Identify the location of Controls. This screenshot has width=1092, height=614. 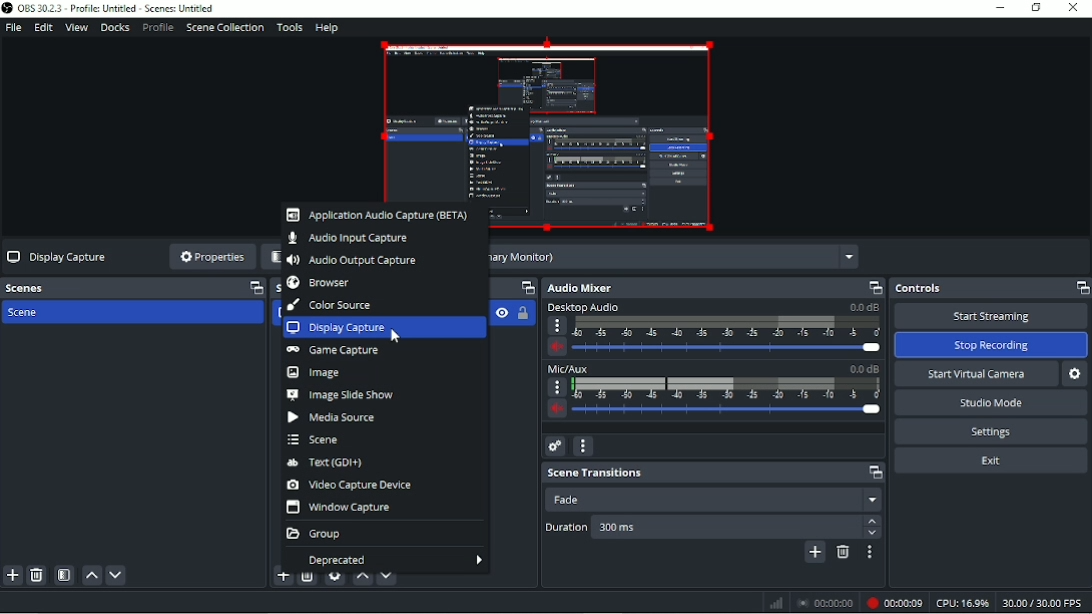
(990, 288).